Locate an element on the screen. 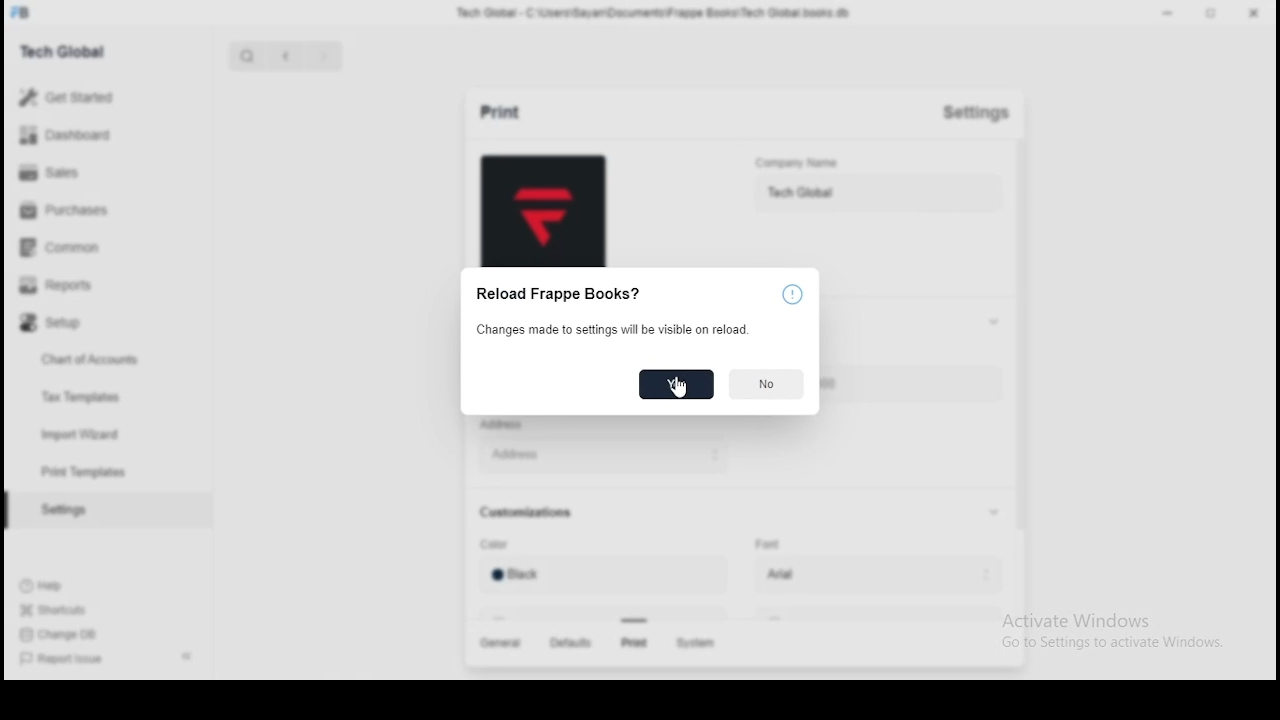 The width and height of the screenshot is (1280, 720). setup  is located at coordinates (83, 327).